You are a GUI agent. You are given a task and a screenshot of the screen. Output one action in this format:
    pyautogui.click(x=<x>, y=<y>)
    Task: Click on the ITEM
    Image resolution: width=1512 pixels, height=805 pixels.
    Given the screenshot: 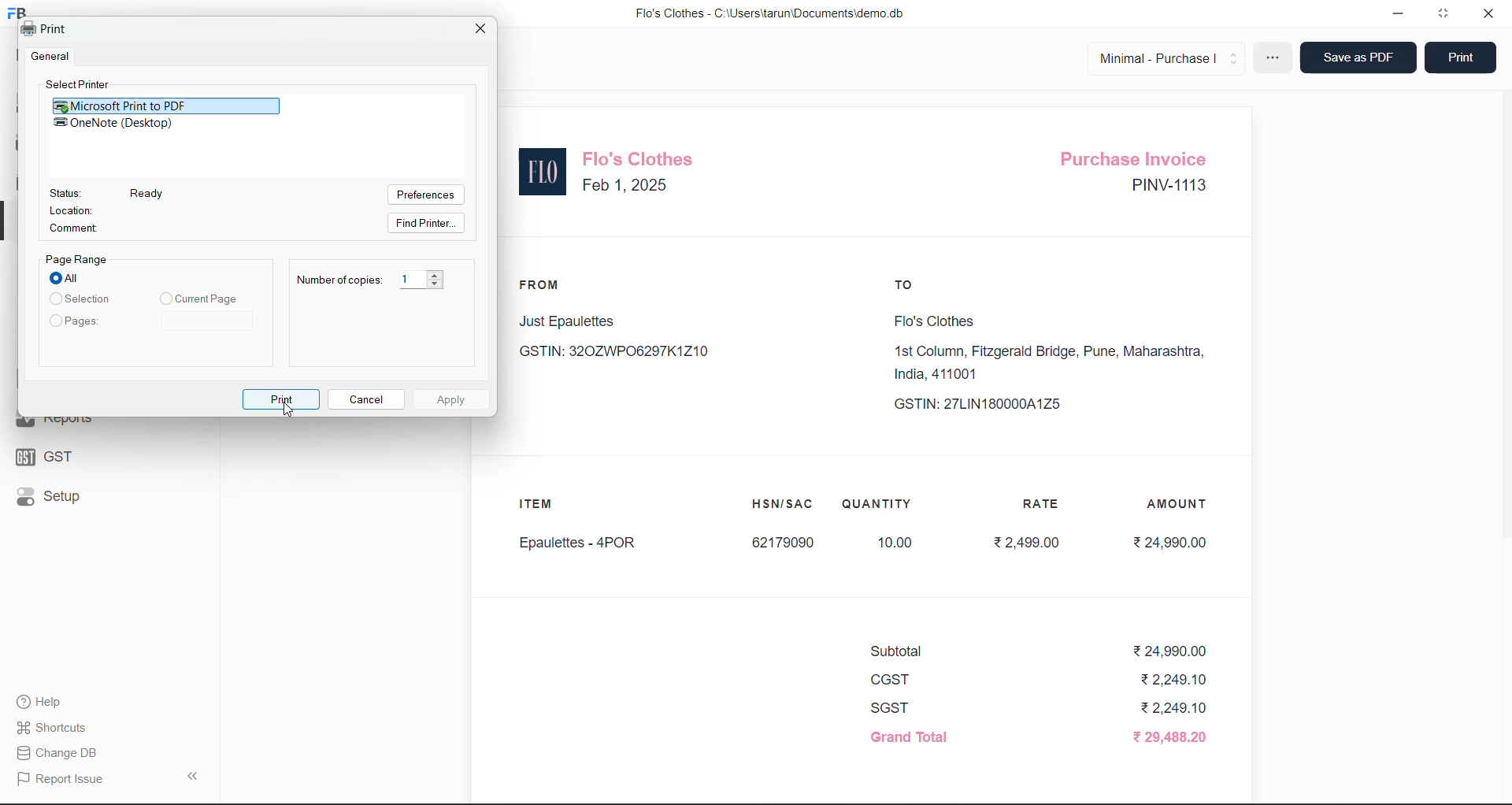 What is the action you would take?
    pyautogui.click(x=543, y=507)
    